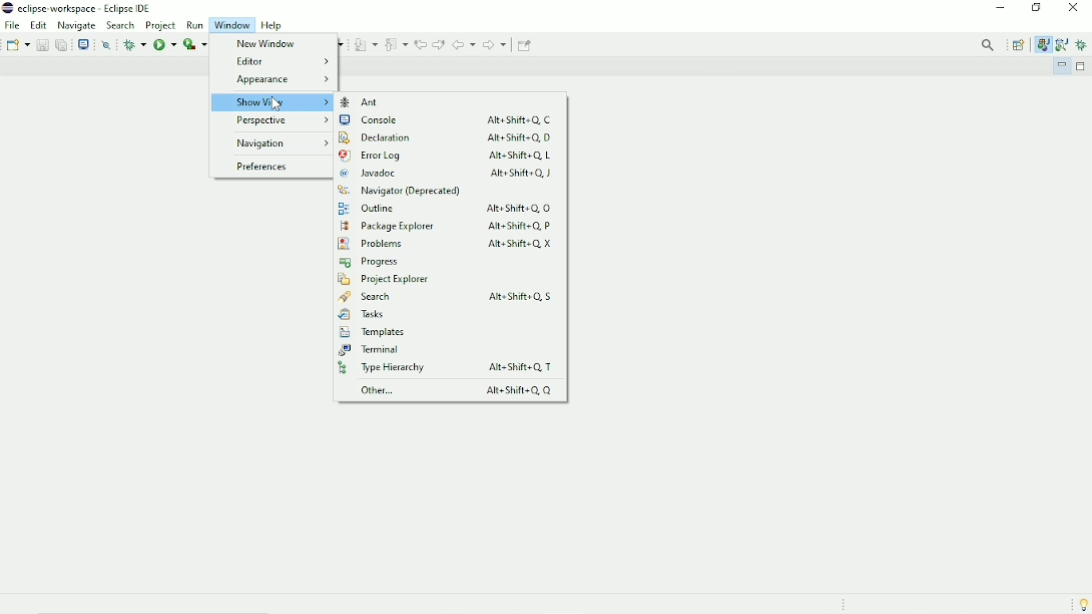  Describe the element at coordinates (438, 44) in the screenshot. I see `Next edit location` at that location.